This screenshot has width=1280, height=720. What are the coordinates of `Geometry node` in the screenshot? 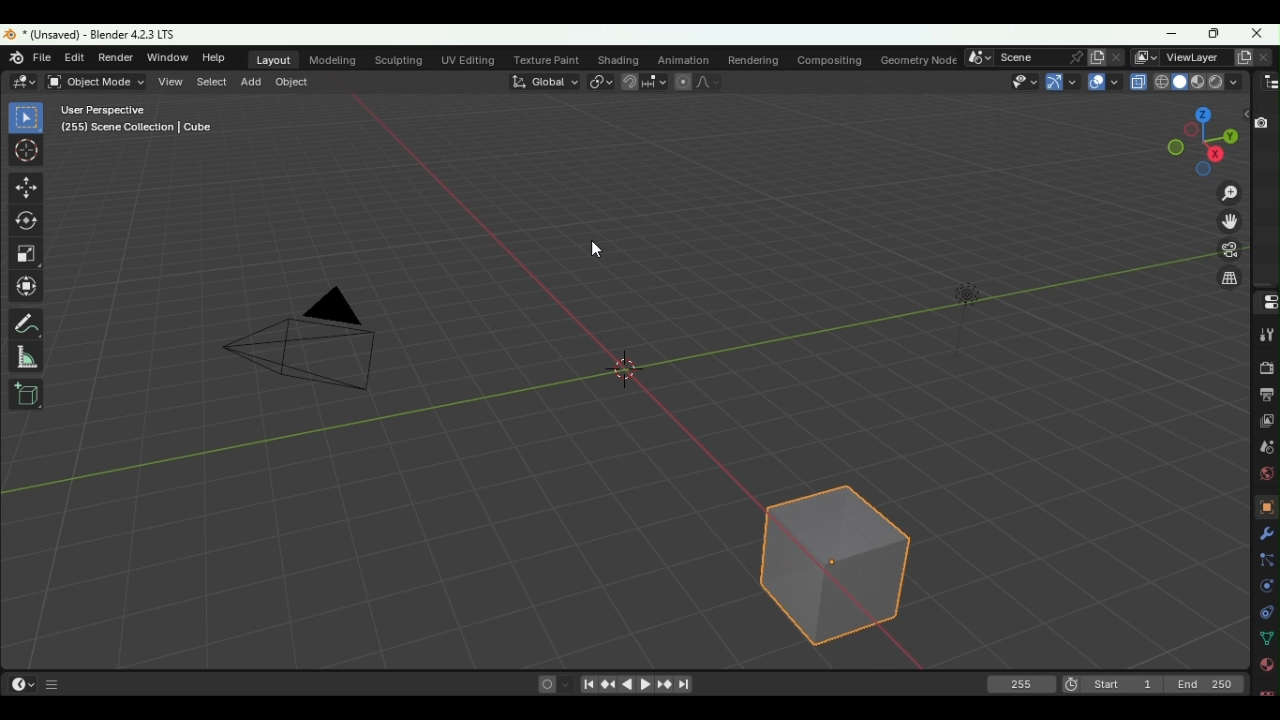 It's located at (922, 57).